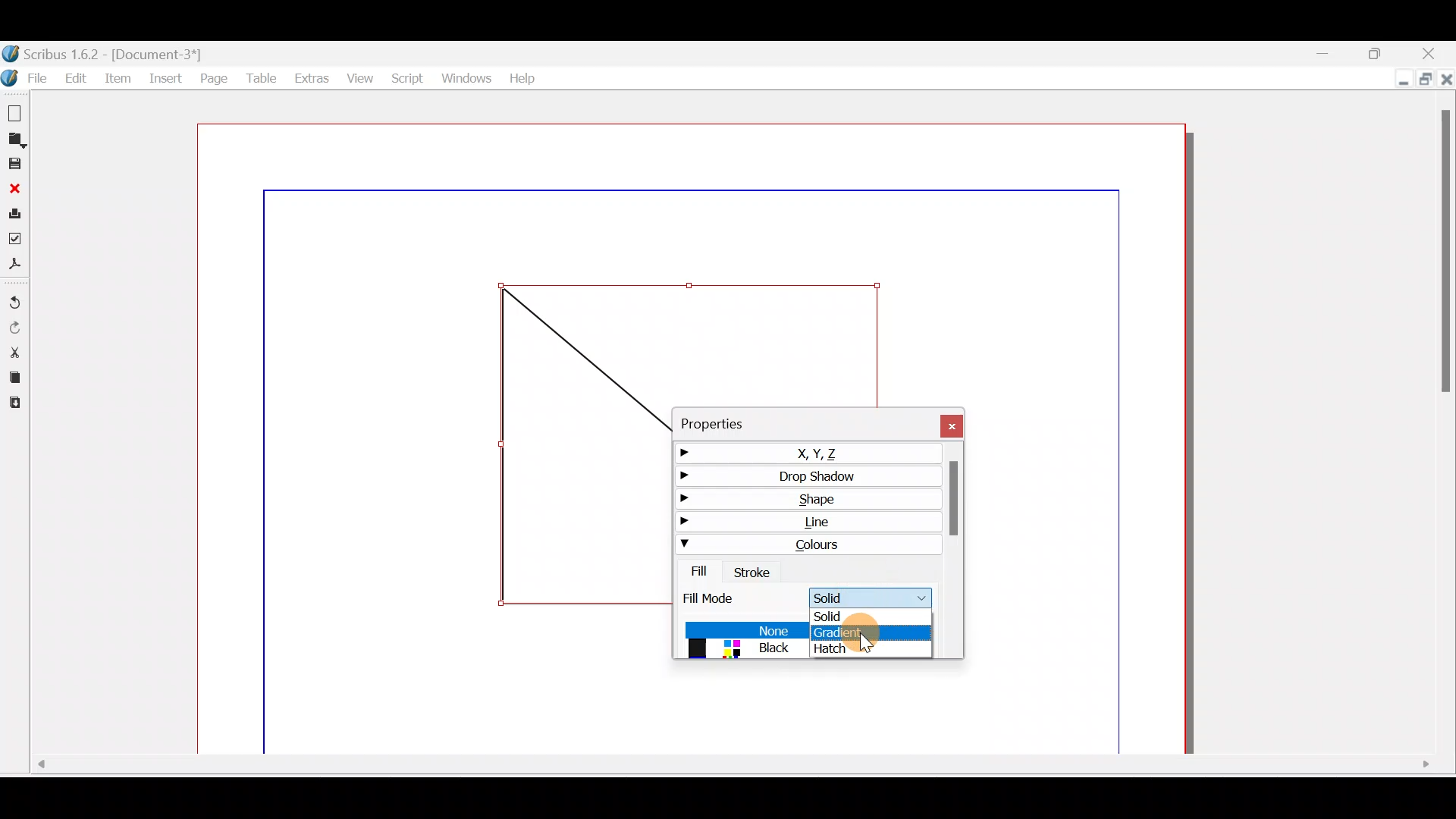 The image size is (1456, 819). I want to click on File, so click(24, 78).